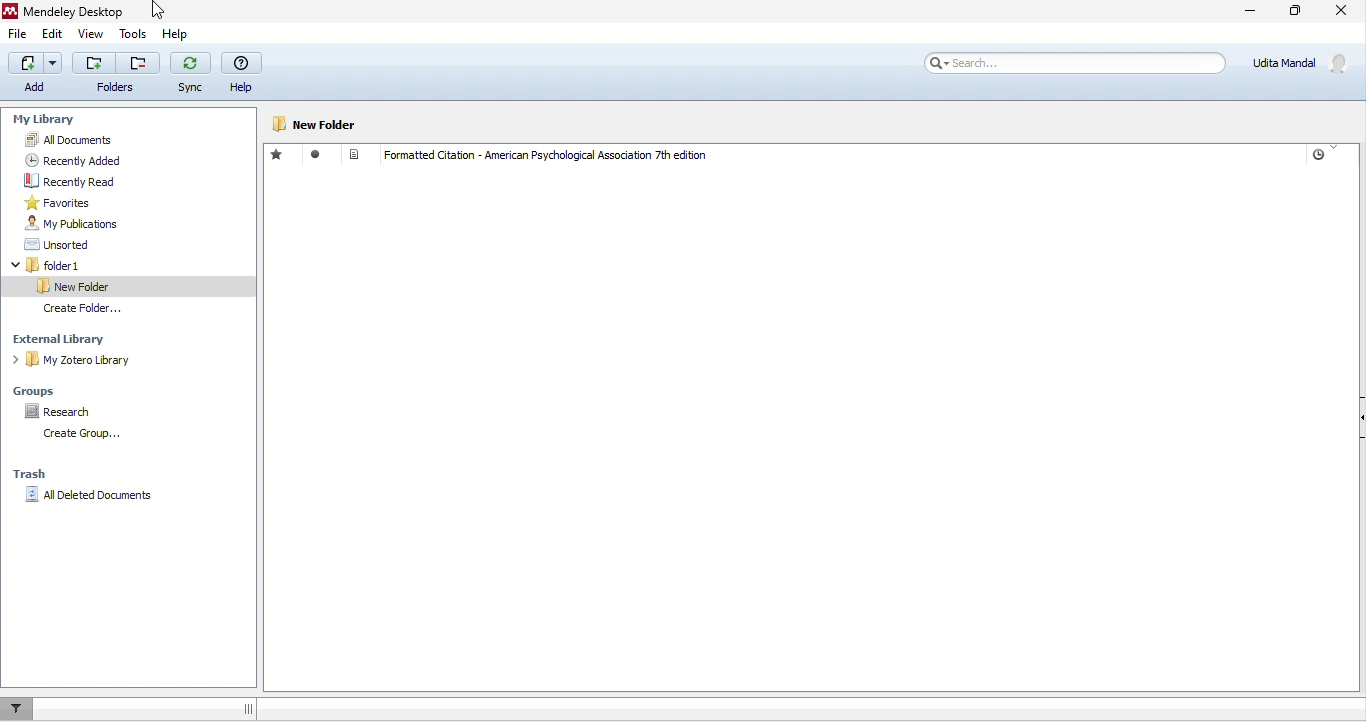 This screenshot has height=722, width=1366. I want to click on external library, so click(88, 339).